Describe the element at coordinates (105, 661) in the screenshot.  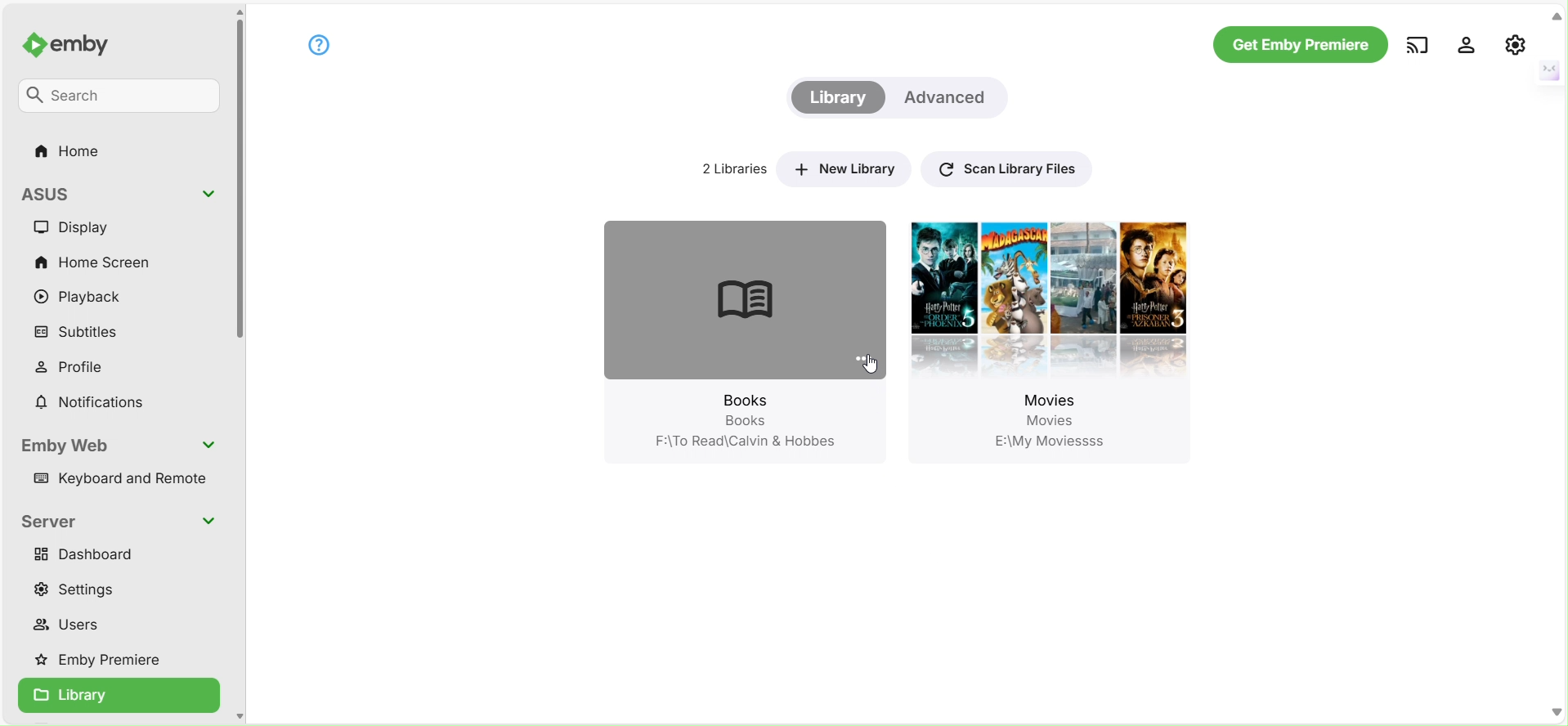
I see `Emby Premiere` at that location.